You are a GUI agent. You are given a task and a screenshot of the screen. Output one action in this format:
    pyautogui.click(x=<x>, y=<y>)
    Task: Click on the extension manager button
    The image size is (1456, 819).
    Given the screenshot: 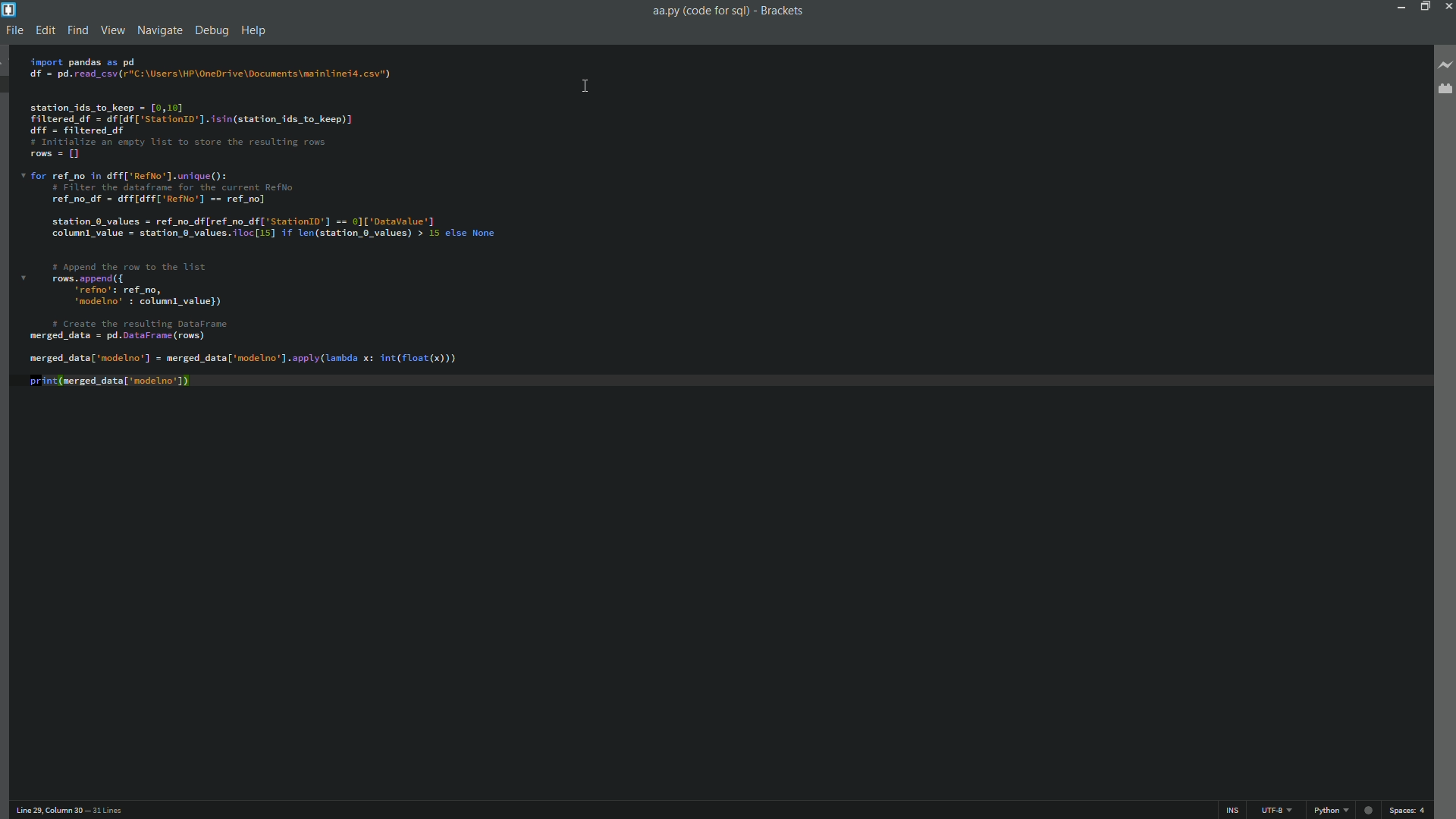 What is the action you would take?
    pyautogui.click(x=1446, y=91)
    